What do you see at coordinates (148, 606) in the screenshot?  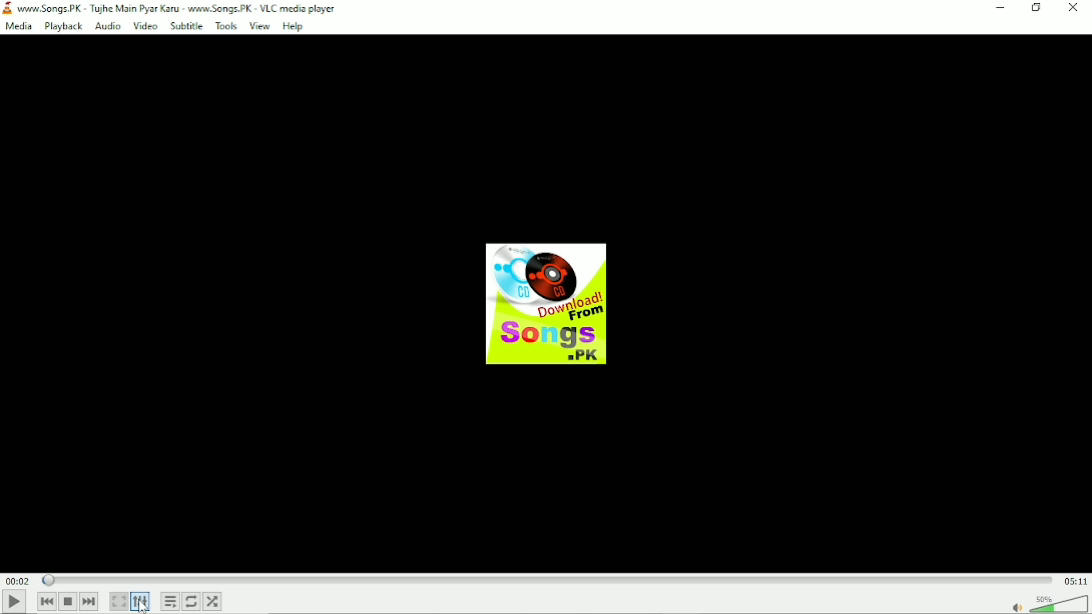 I see `Cursor` at bounding box center [148, 606].